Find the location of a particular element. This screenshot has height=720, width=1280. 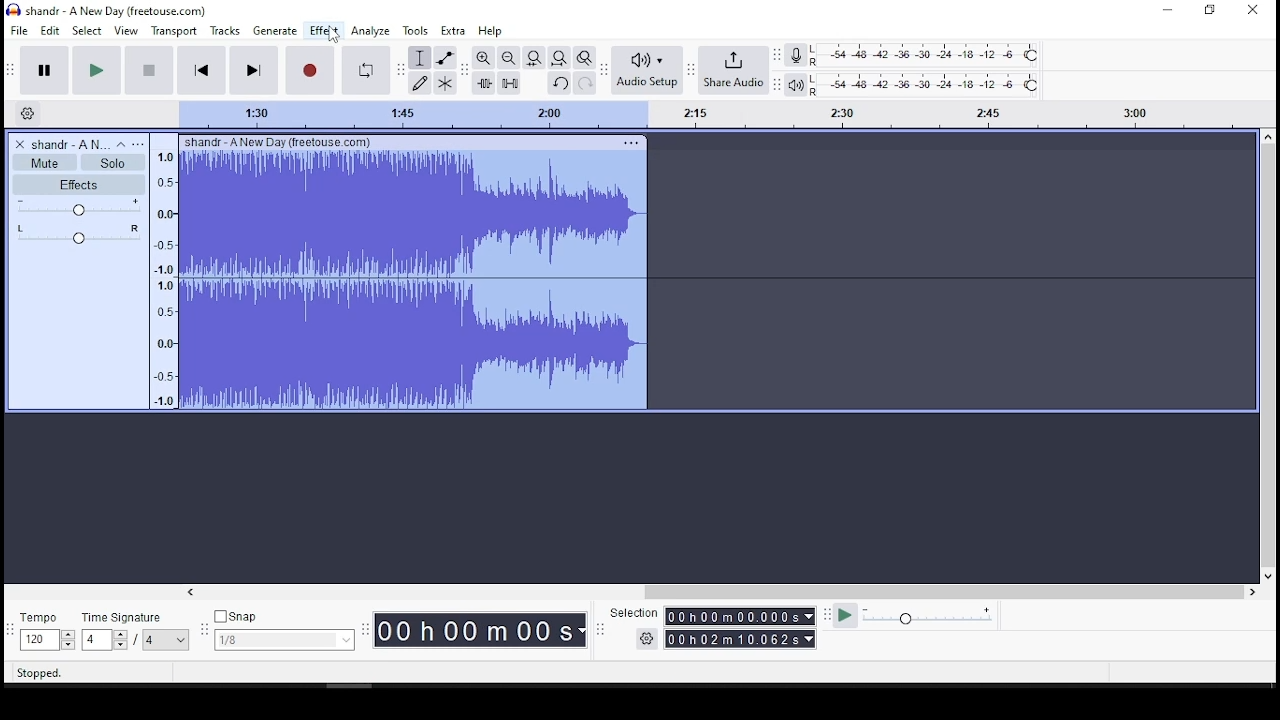

pan is located at coordinates (79, 234).